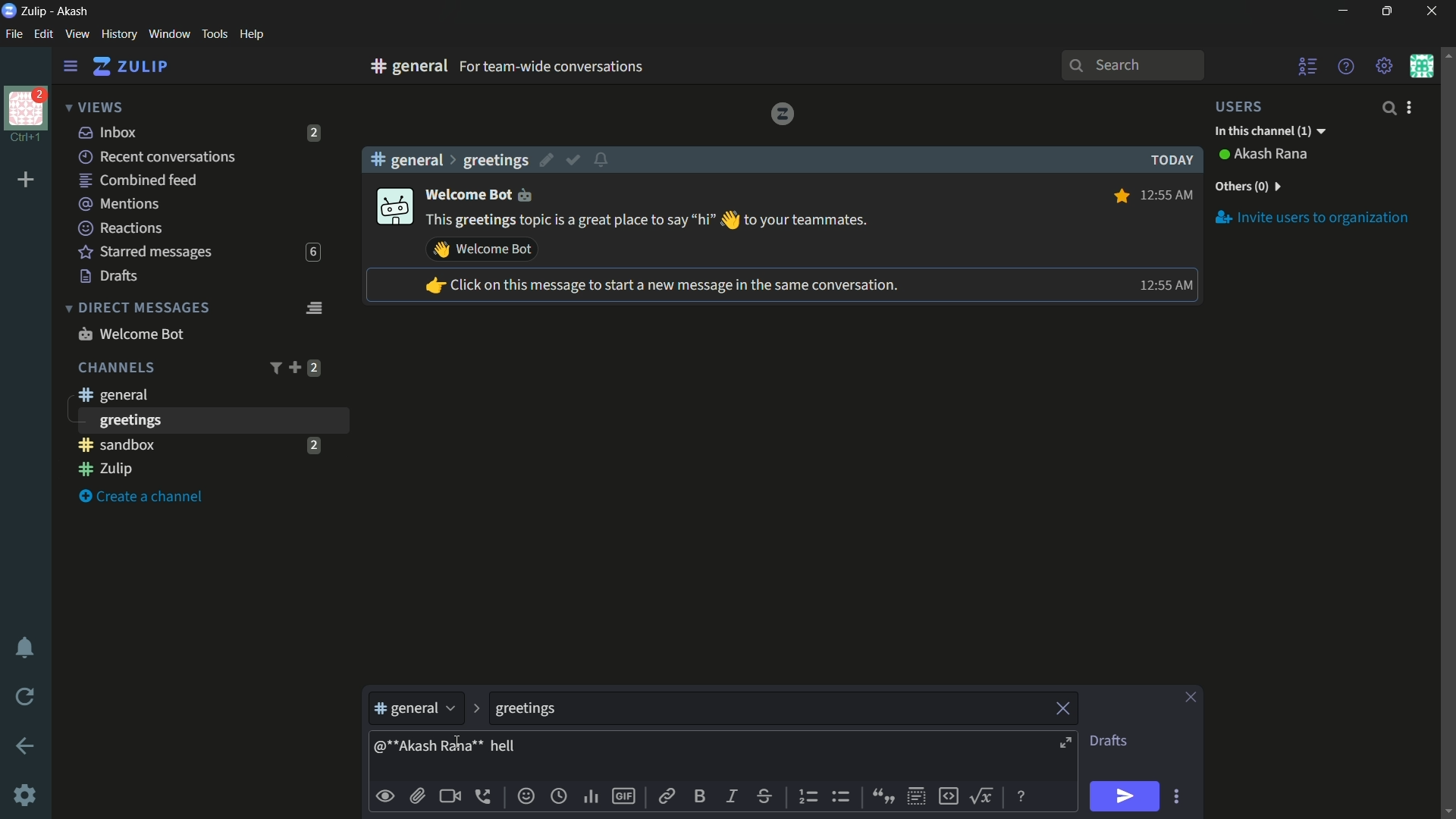 This screenshot has height=819, width=1456. I want to click on channels, so click(115, 368).